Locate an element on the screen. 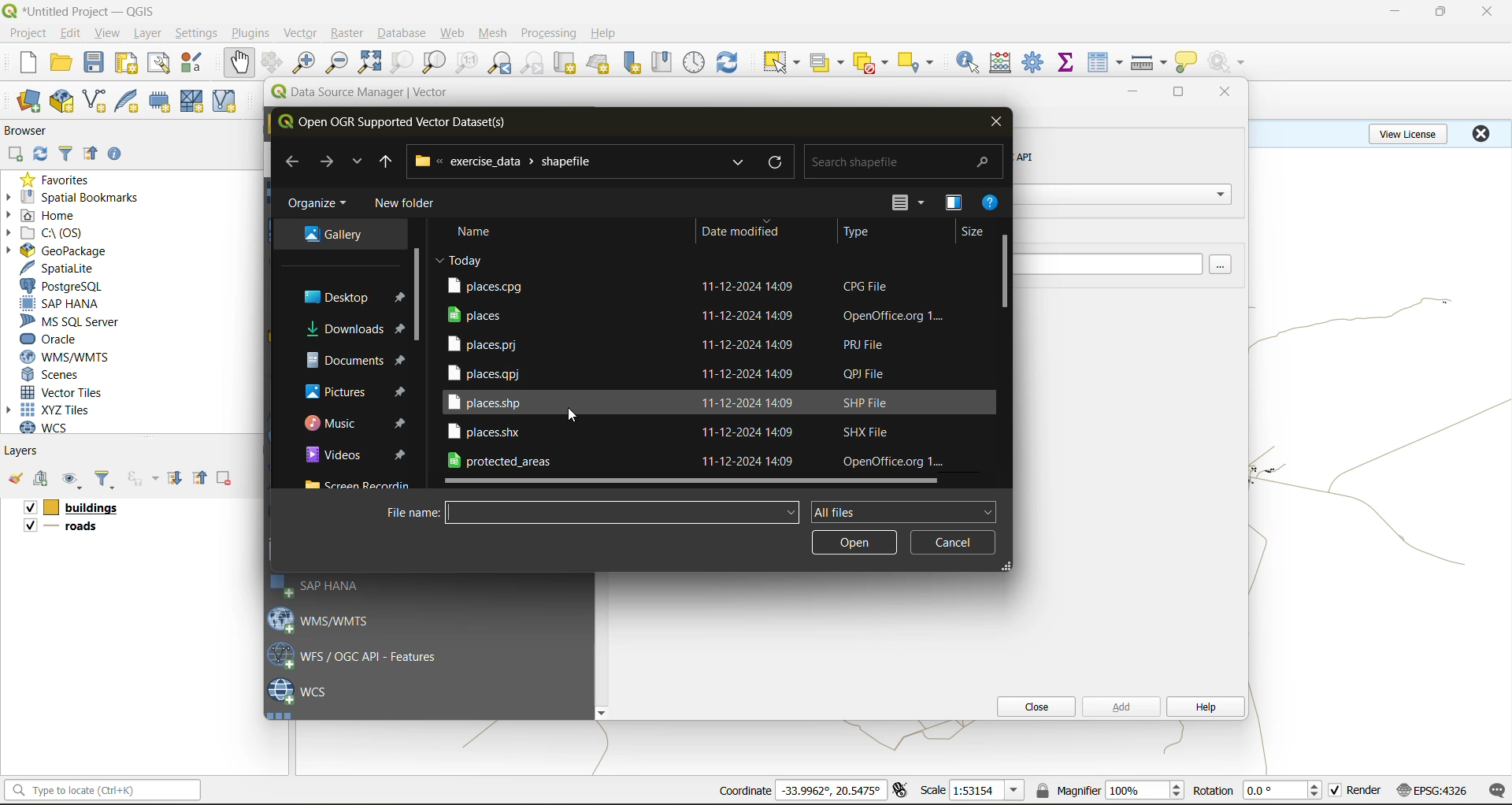 The width and height of the screenshot is (1512, 805). layers is located at coordinates (23, 450).